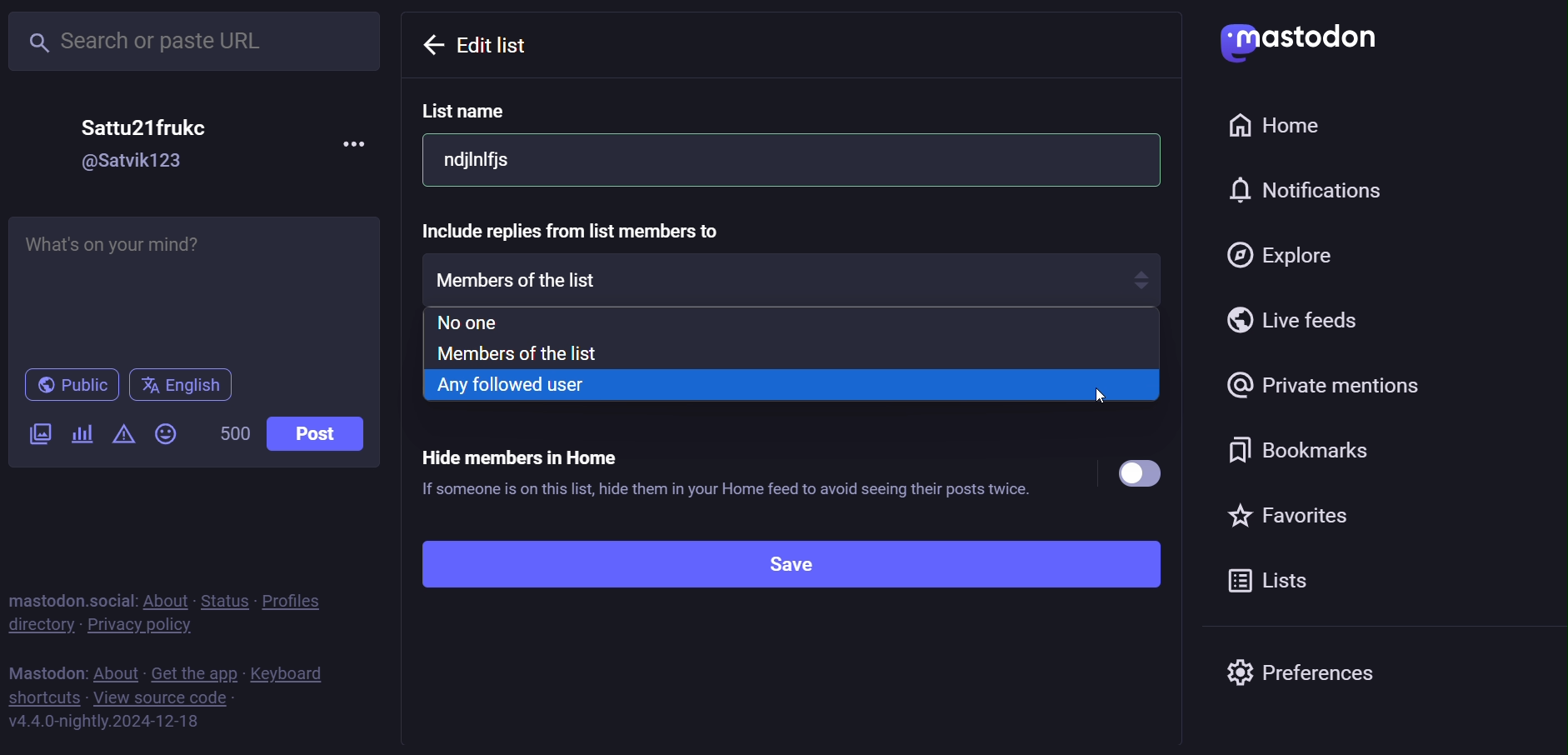 The height and width of the screenshot is (755, 1568). I want to click on https://mastodon.social/lists#, so click(105, 721).